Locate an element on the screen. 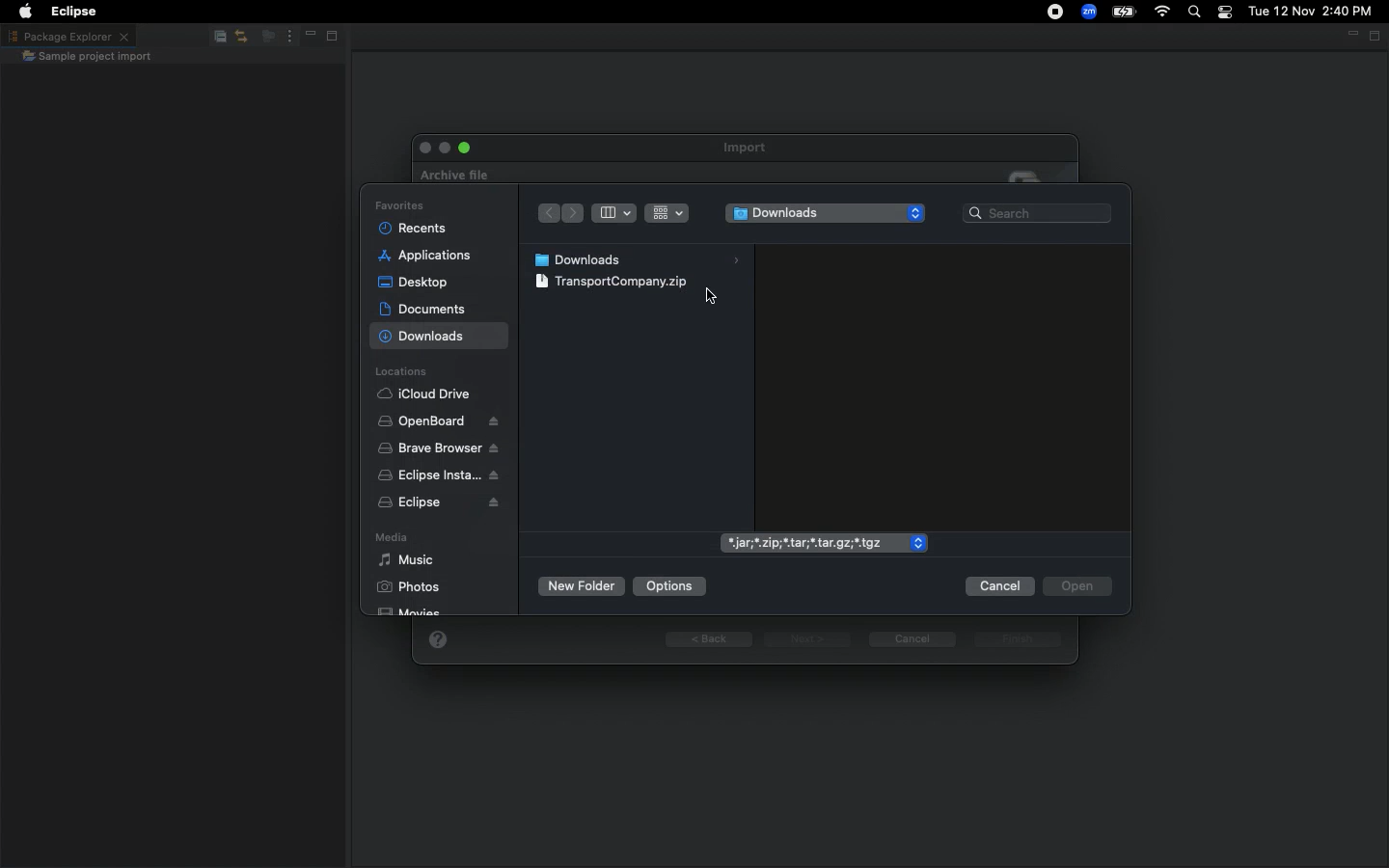 The width and height of the screenshot is (1389, 868). import is located at coordinates (750, 148).